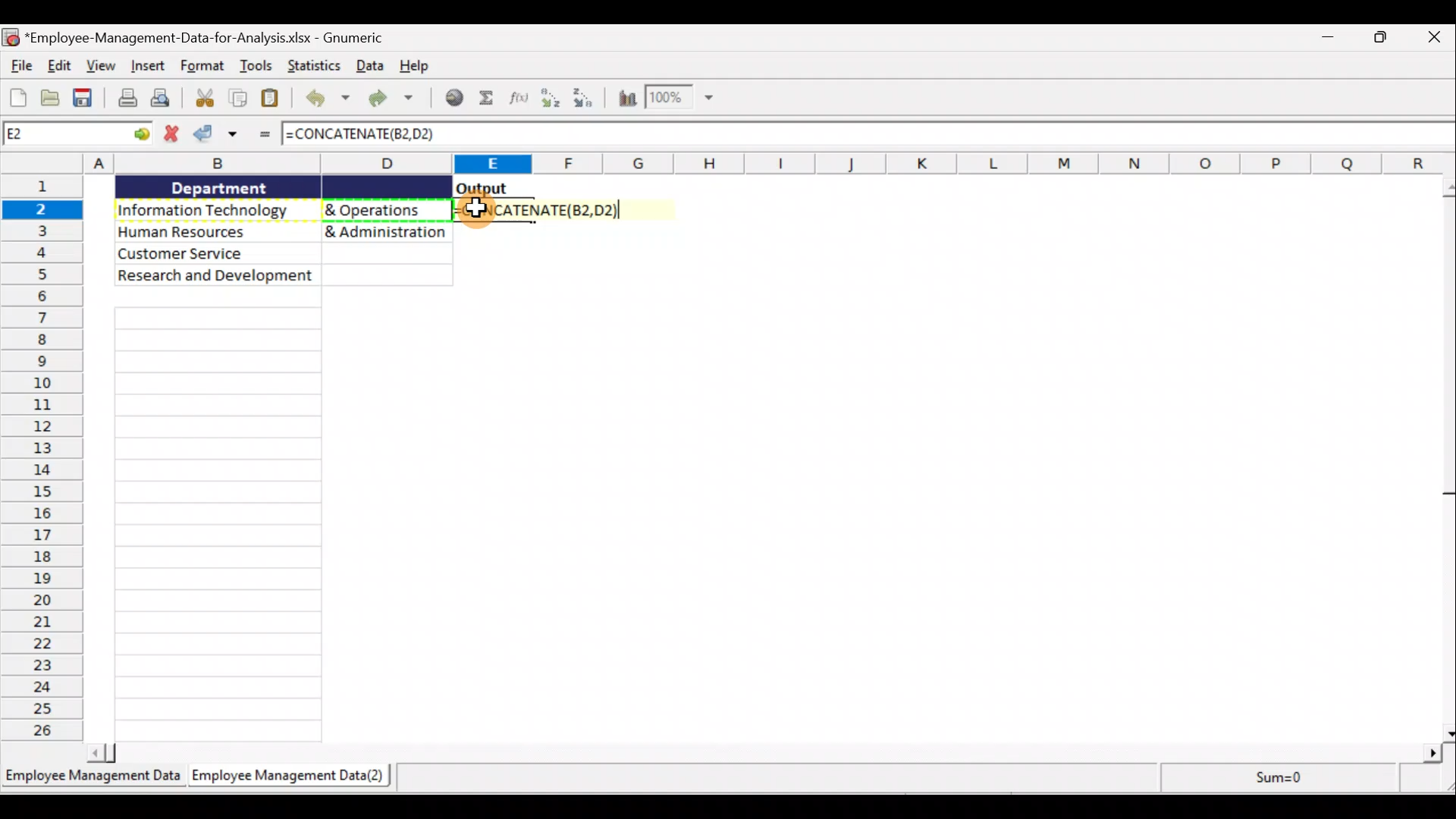 This screenshot has width=1456, height=819. Describe the element at coordinates (626, 99) in the screenshot. I see `Insert a chart` at that location.